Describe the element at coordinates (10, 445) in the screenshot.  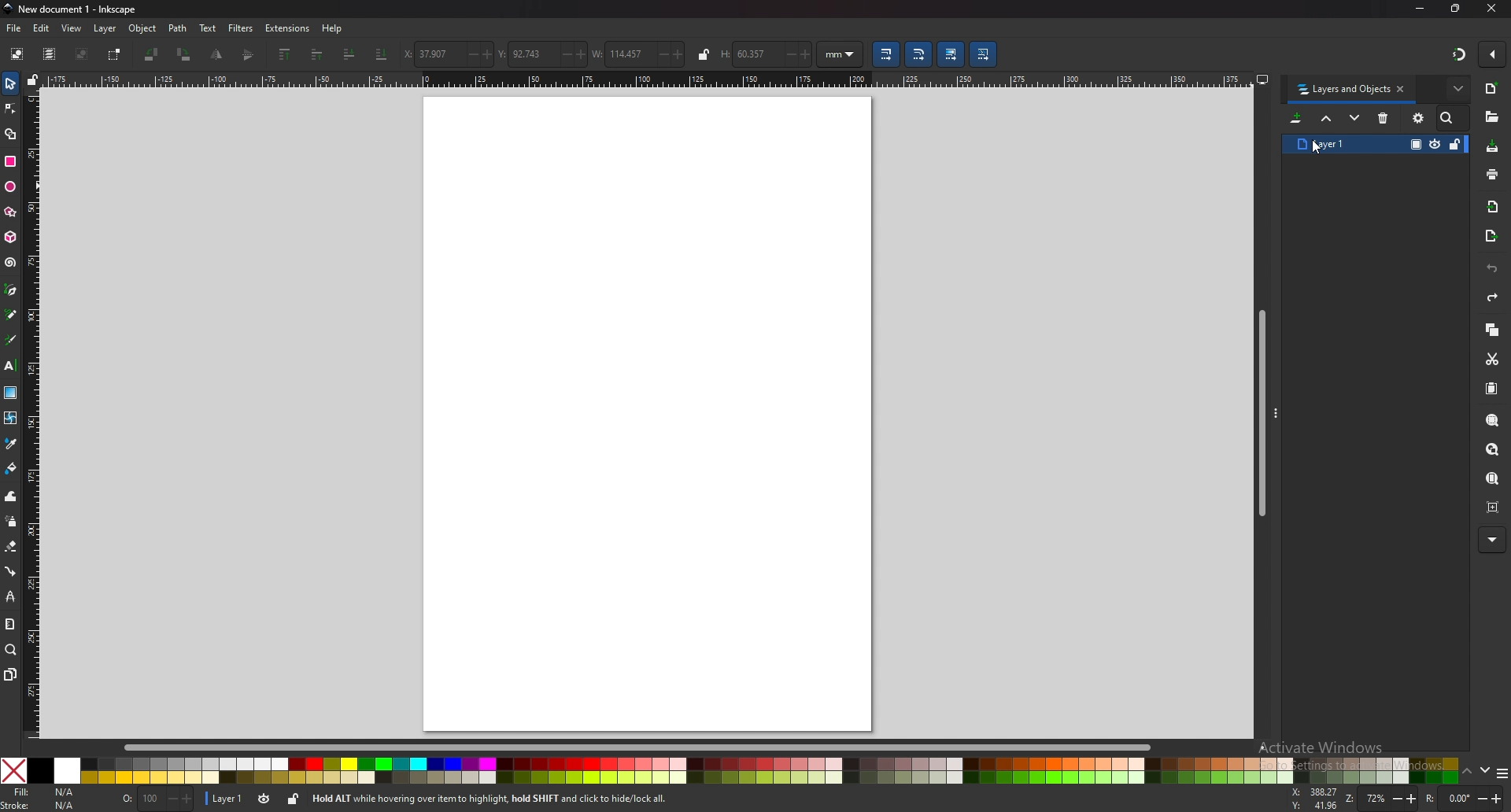
I see `color picker` at that location.